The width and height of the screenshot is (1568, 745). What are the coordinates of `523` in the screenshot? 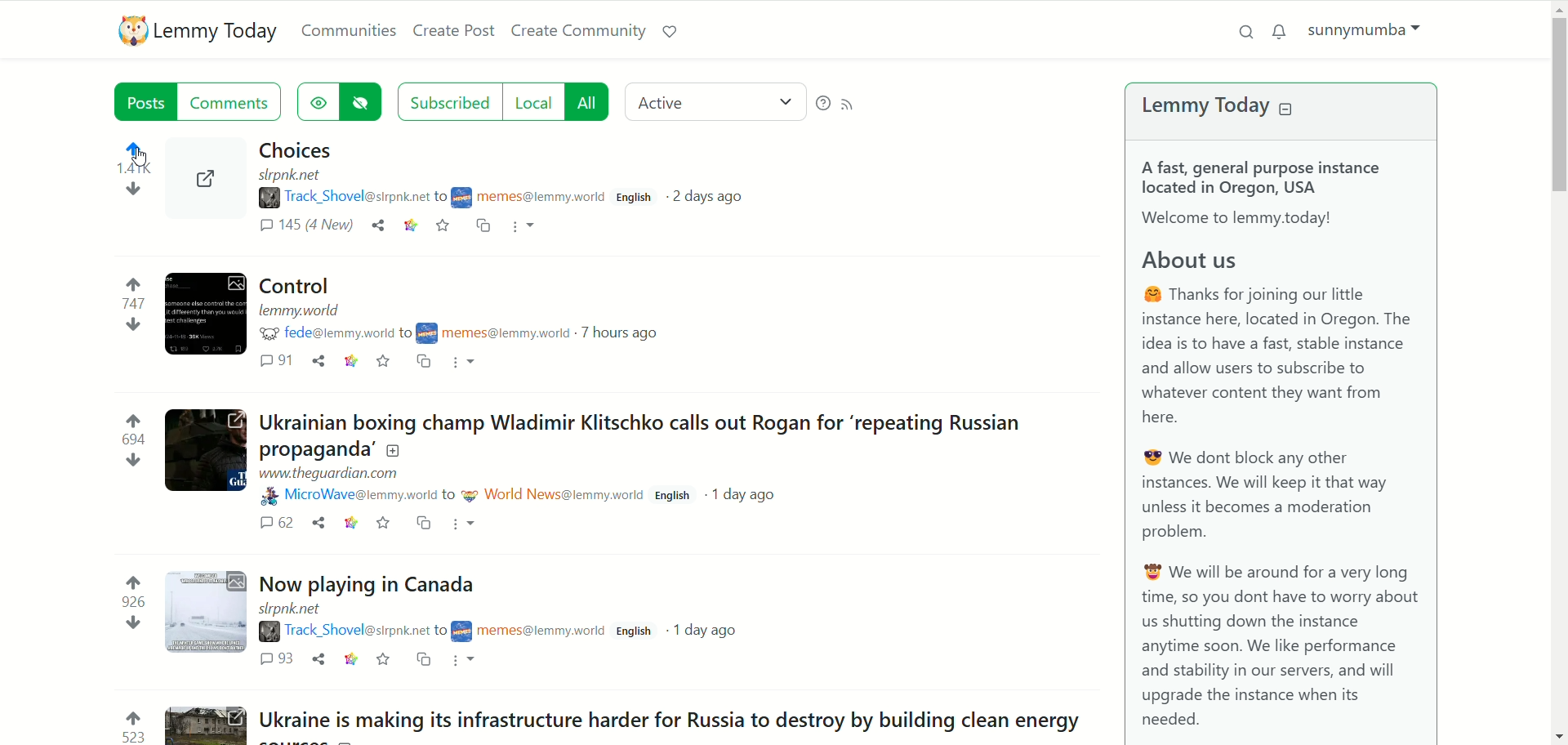 It's located at (134, 738).